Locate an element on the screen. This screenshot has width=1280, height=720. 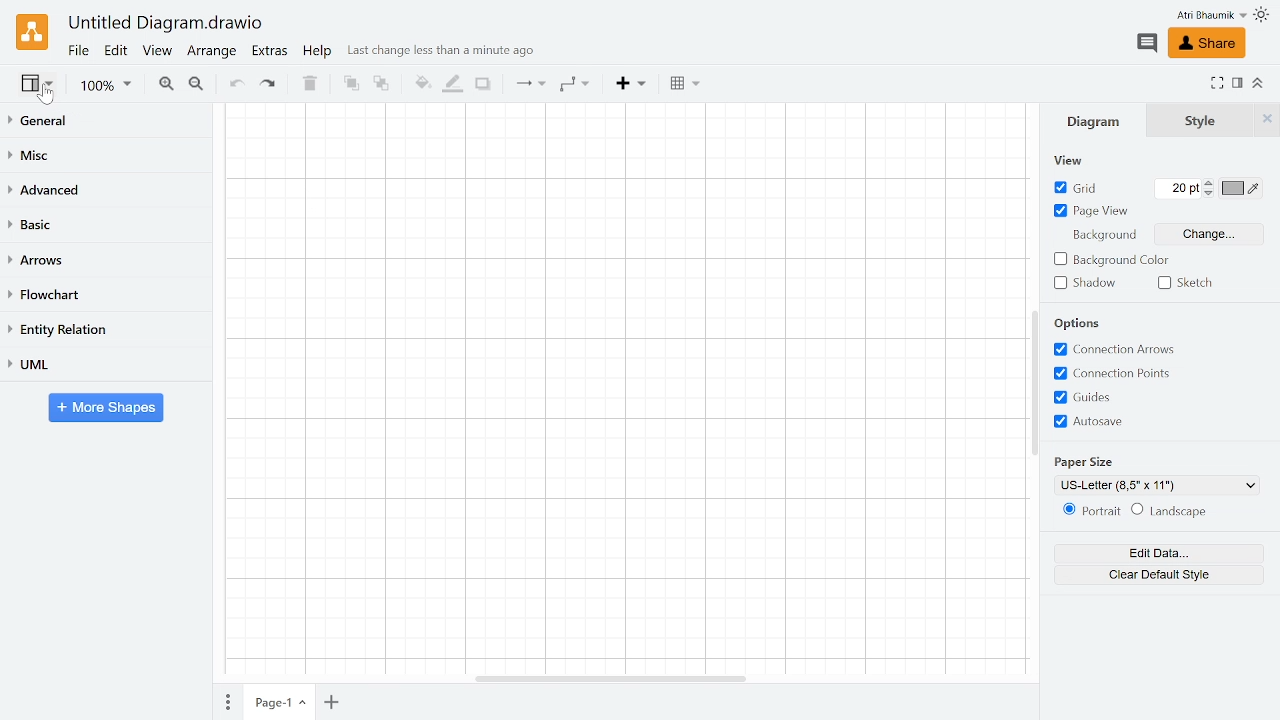
Autosave is located at coordinates (1124, 421).